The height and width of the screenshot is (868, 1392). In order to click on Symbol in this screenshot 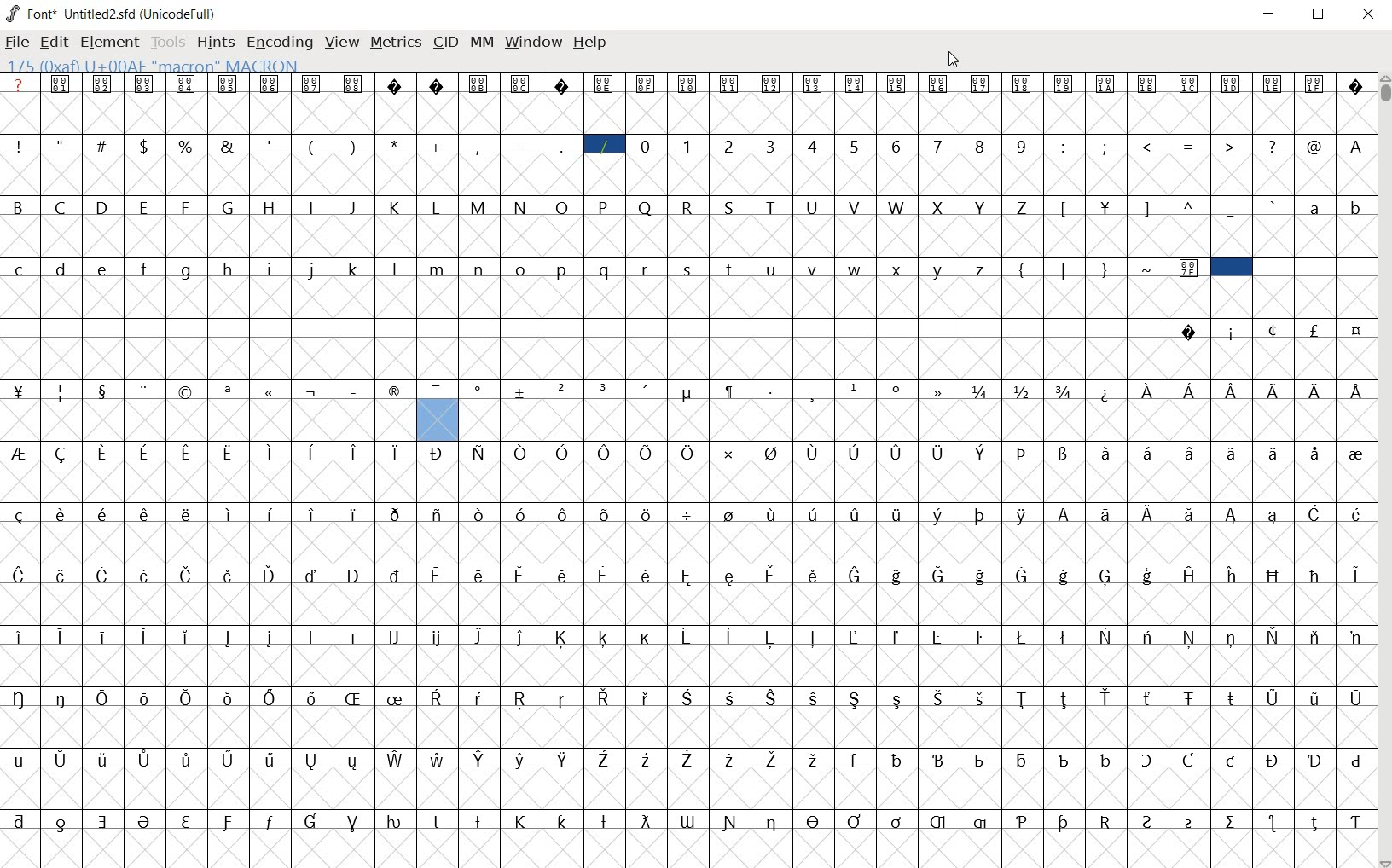, I will do `click(1064, 757)`.